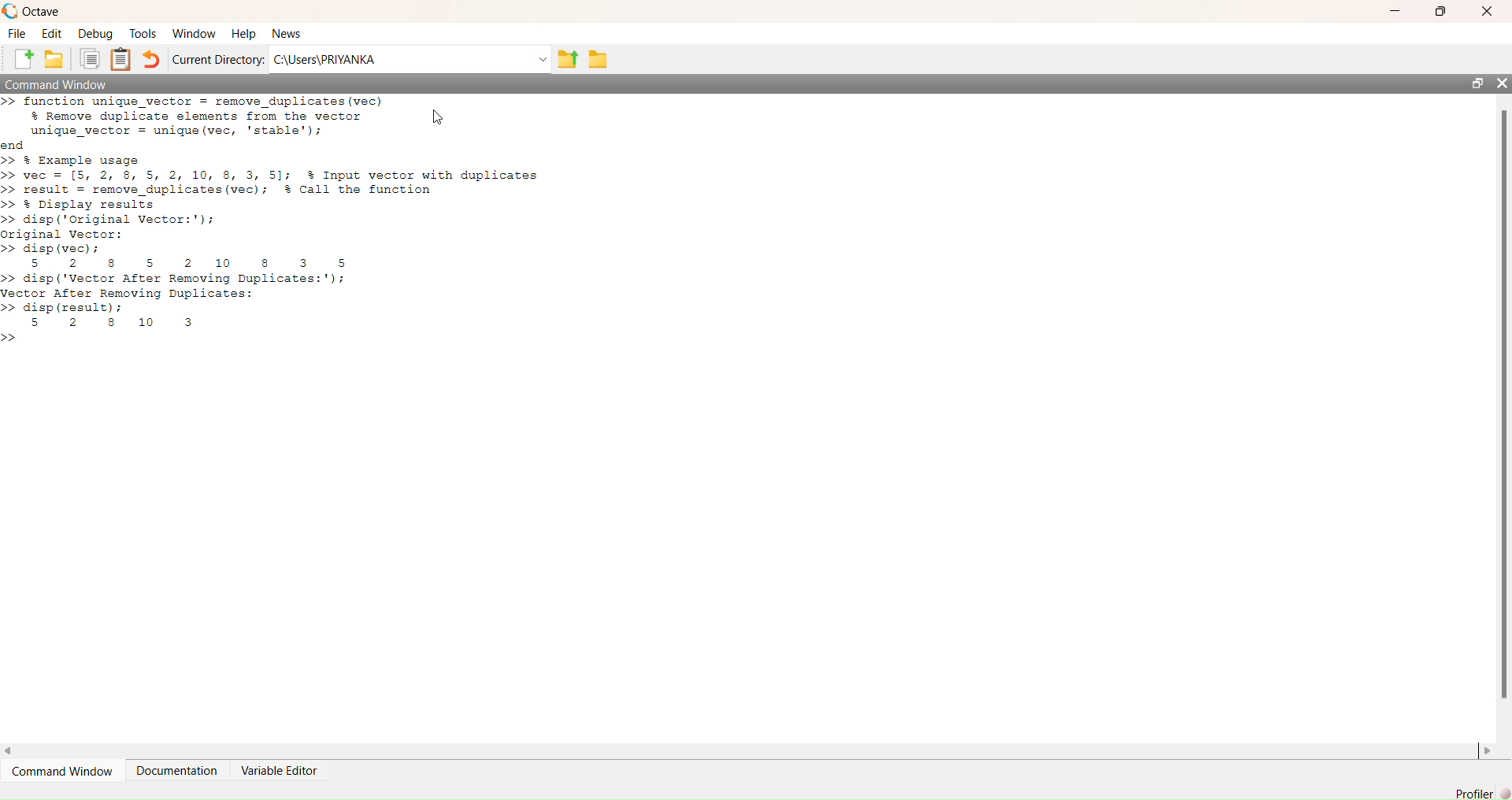 Image resolution: width=1512 pixels, height=800 pixels. Describe the element at coordinates (54, 58) in the screenshot. I see `add folder` at that location.